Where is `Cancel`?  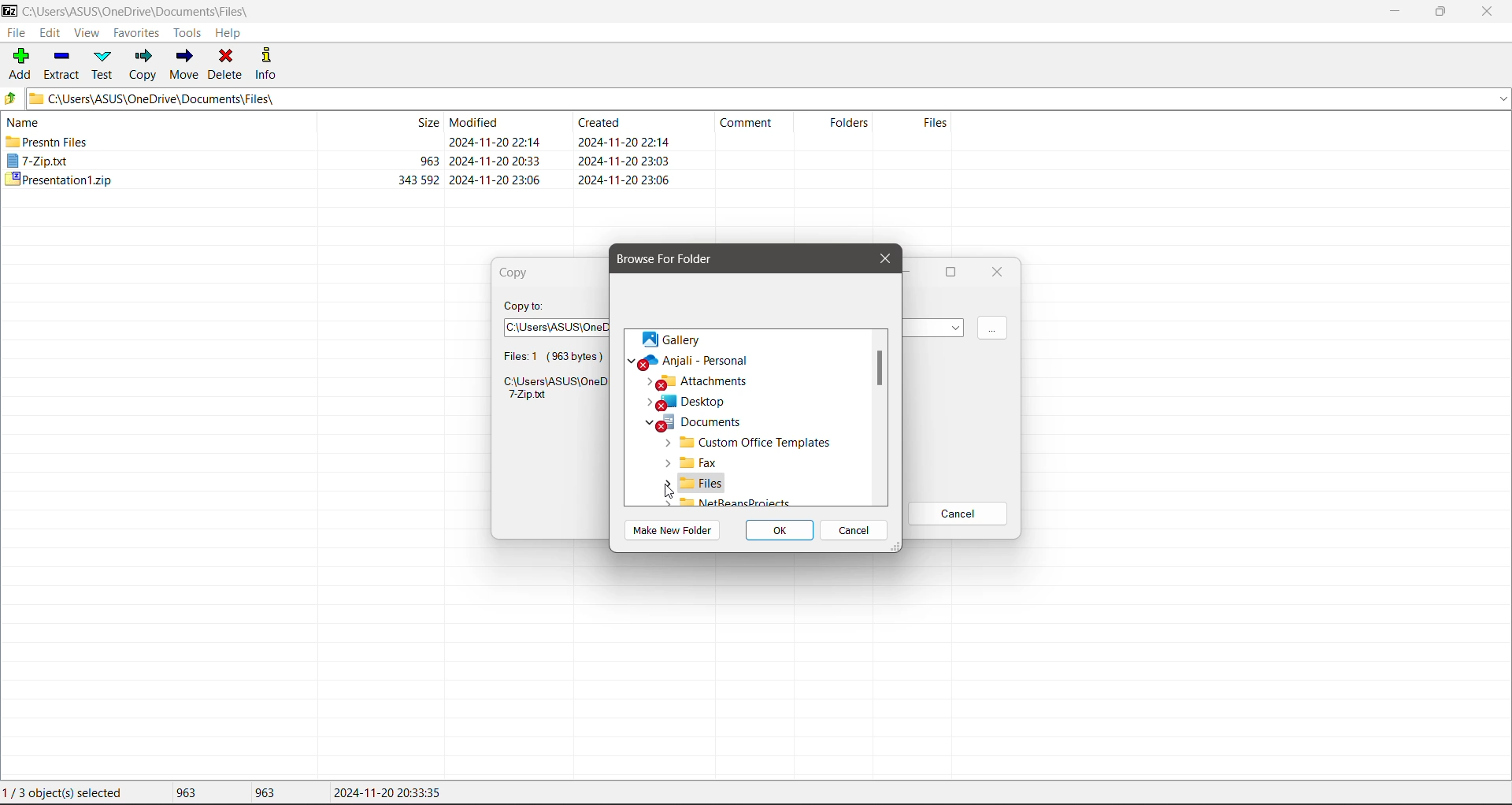
Cancel is located at coordinates (960, 514).